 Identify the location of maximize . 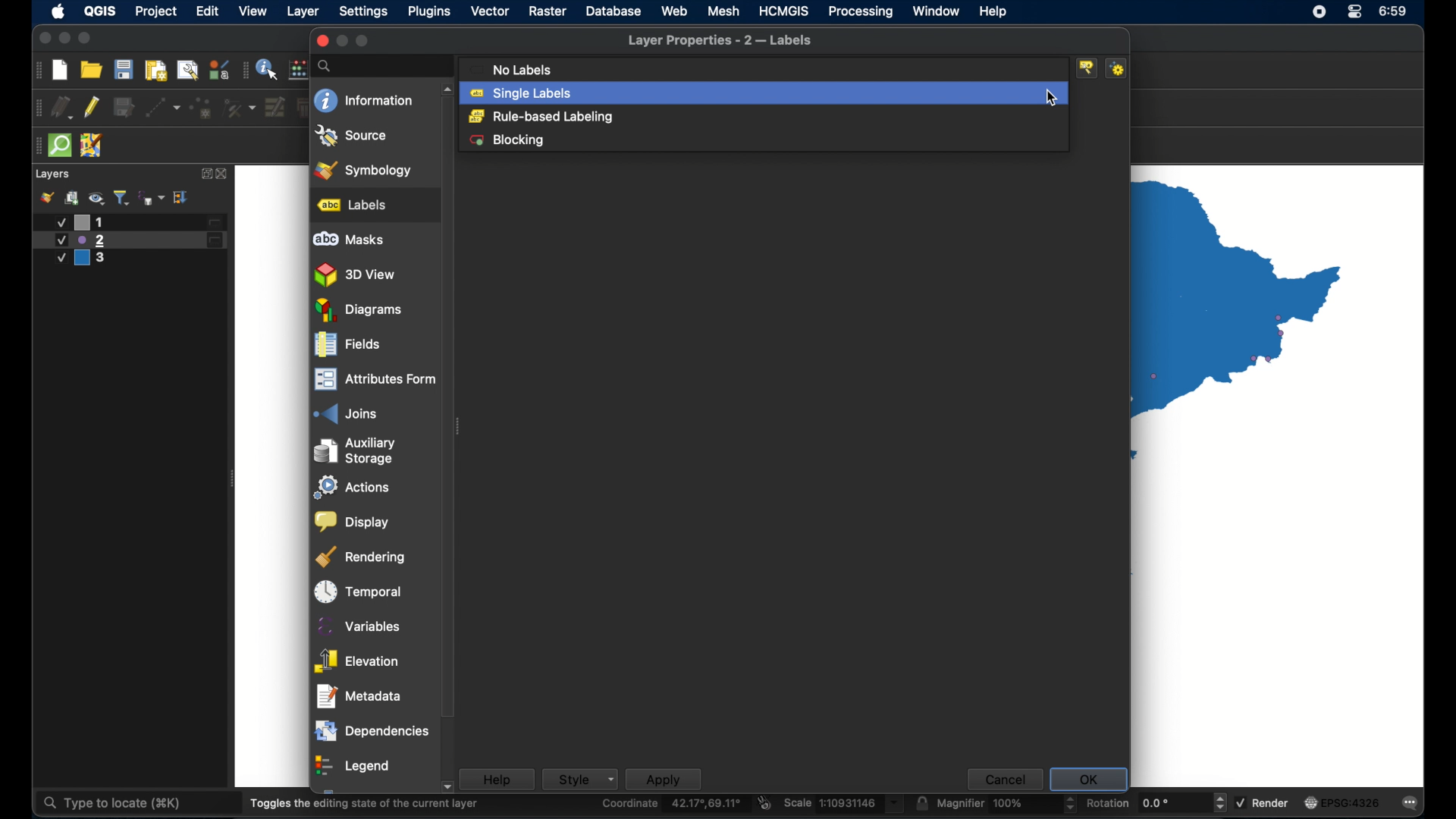
(86, 39).